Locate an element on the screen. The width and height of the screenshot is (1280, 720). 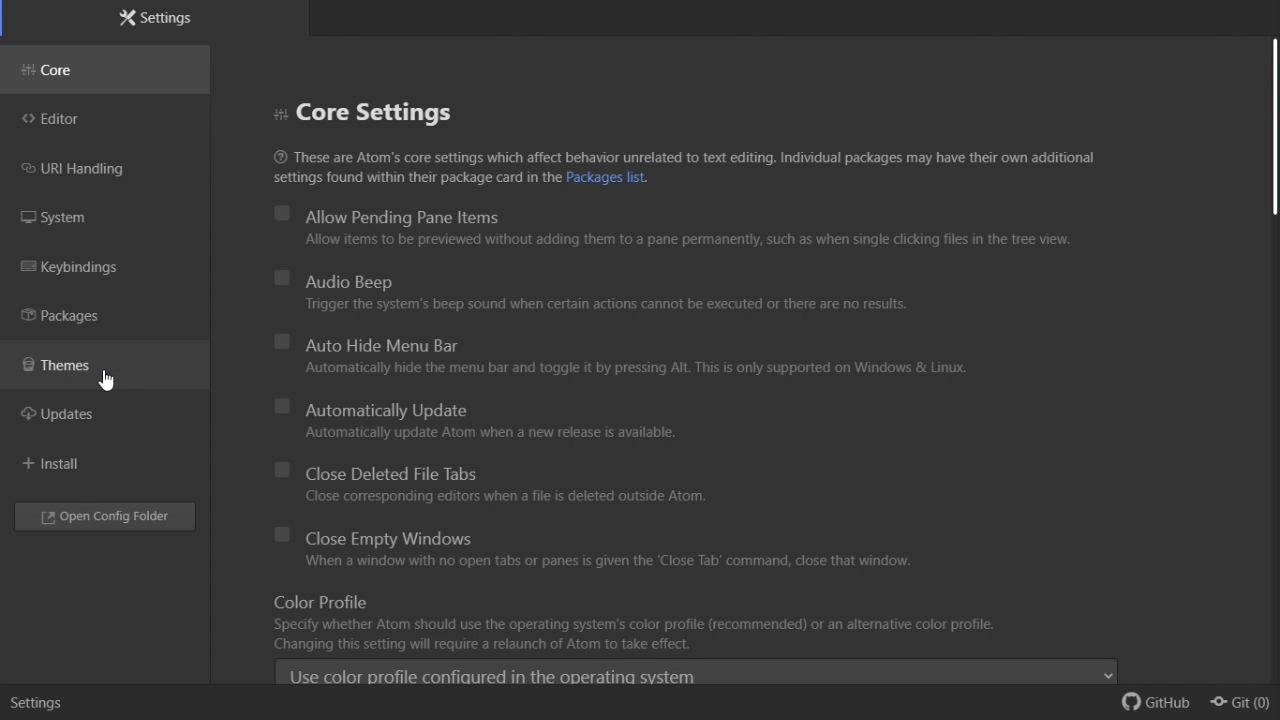
Core settings is located at coordinates (366, 114).